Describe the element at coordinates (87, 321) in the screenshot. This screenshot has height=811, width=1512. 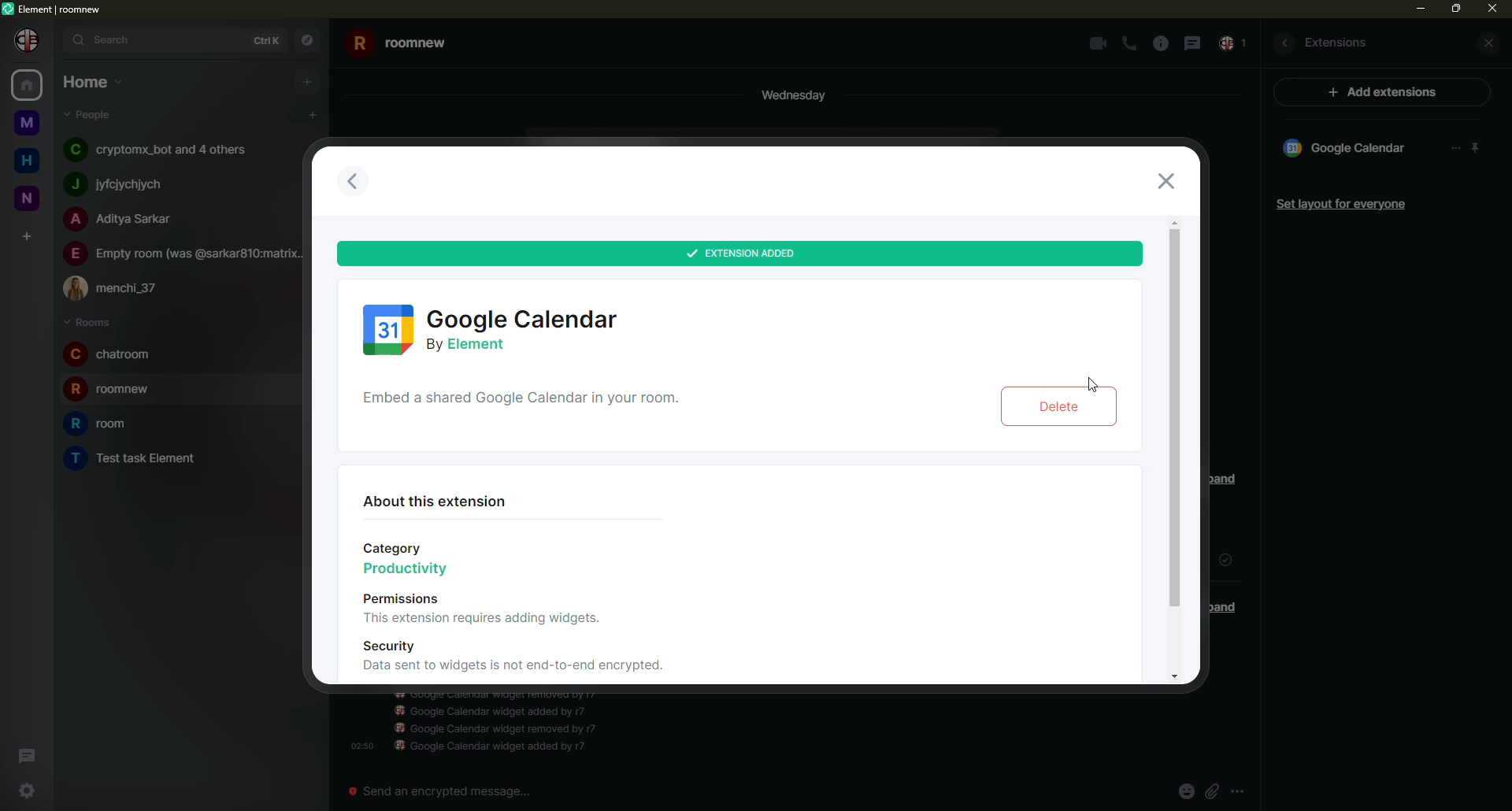
I see `rooms` at that location.